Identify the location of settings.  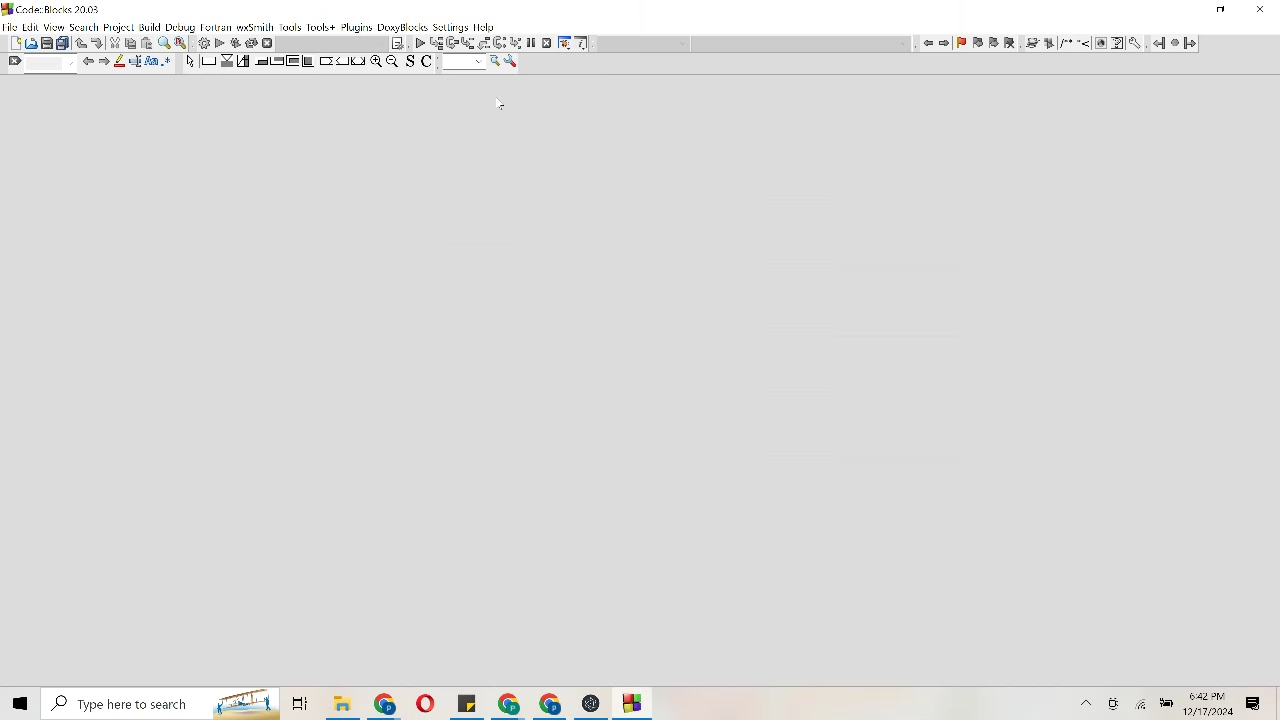
(451, 28).